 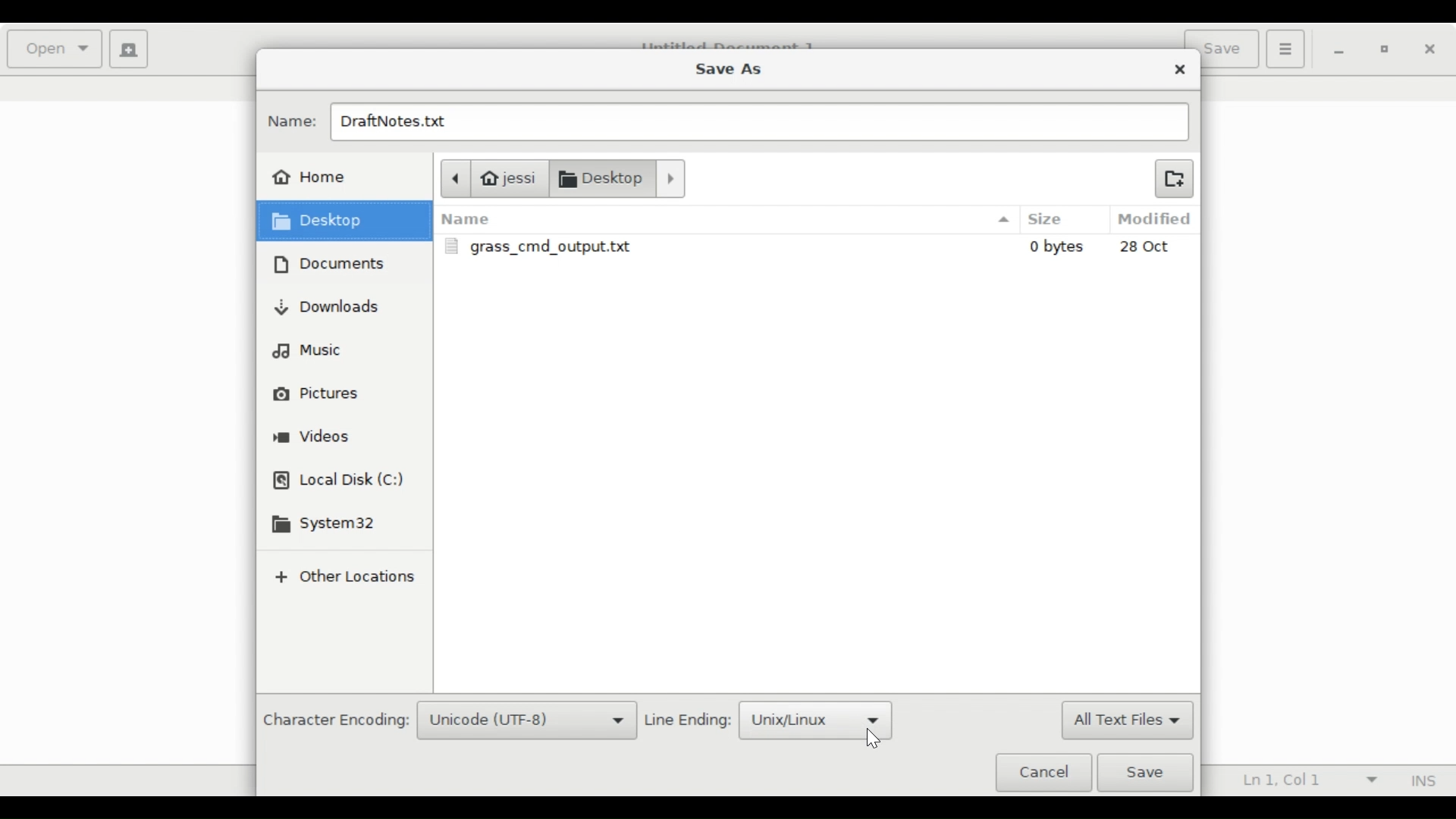 What do you see at coordinates (313, 438) in the screenshot?
I see `Videos` at bounding box center [313, 438].